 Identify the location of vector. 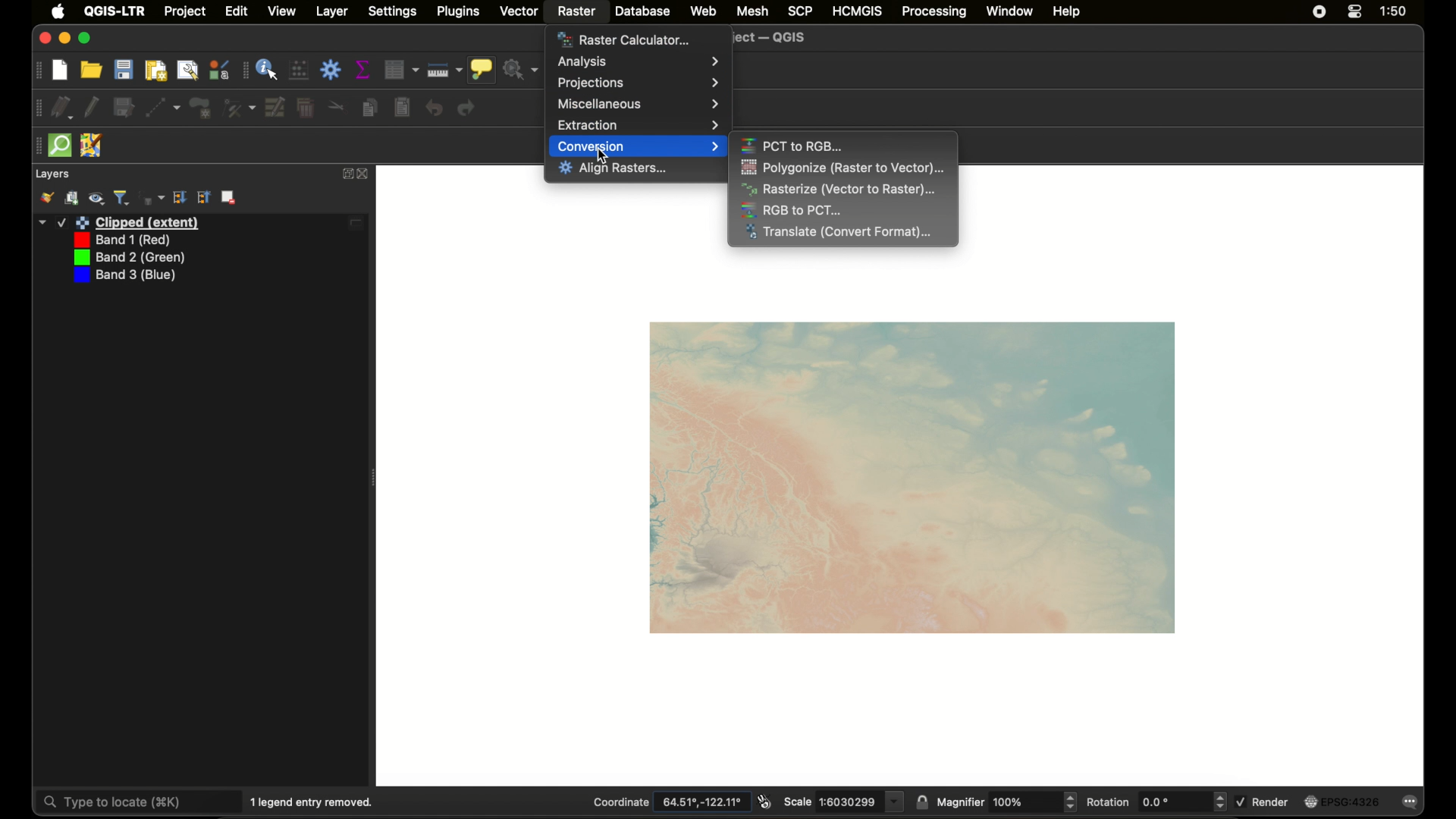
(520, 11).